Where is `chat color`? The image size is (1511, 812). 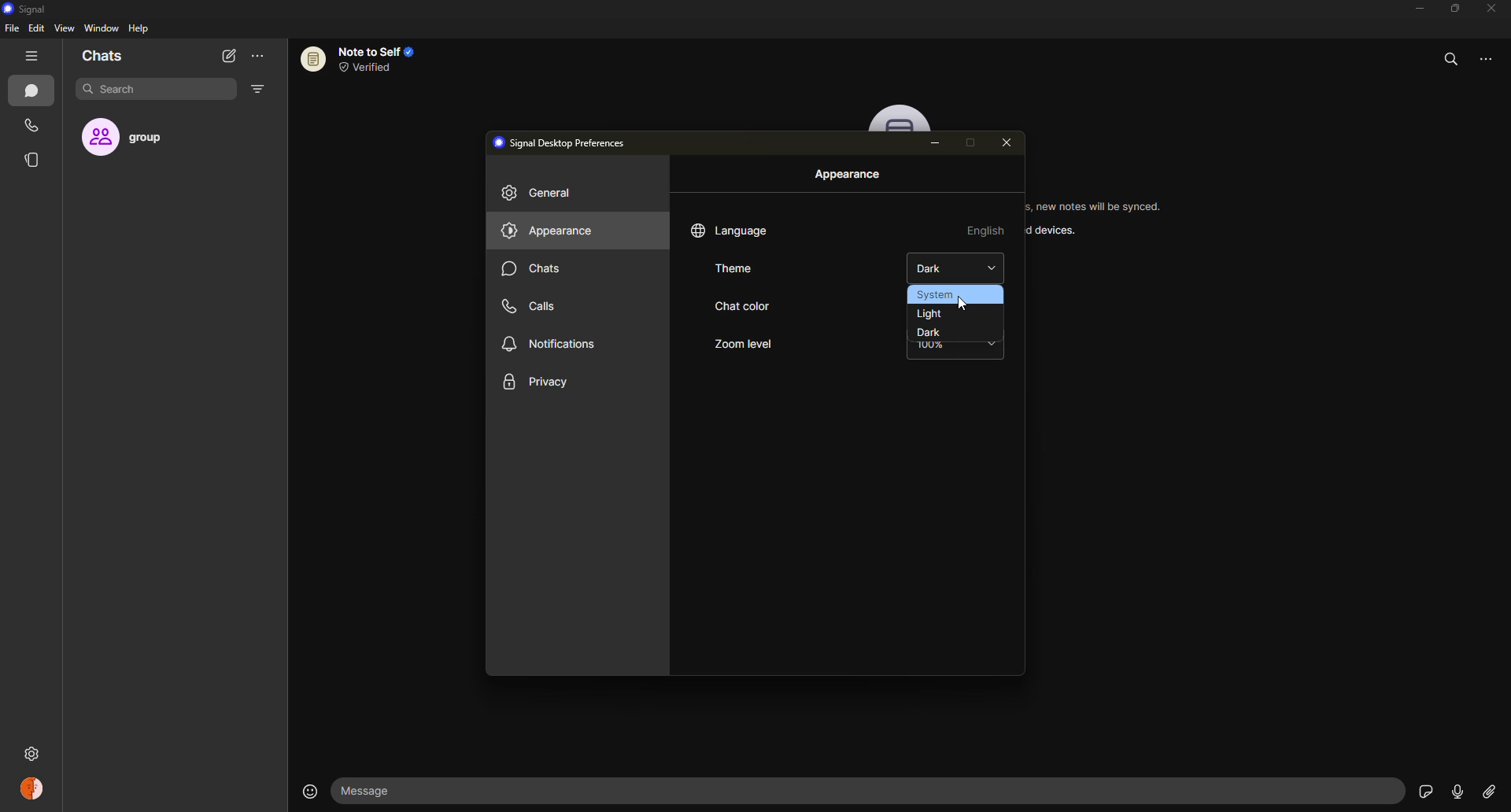 chat color is located at coordinates (741, 306).